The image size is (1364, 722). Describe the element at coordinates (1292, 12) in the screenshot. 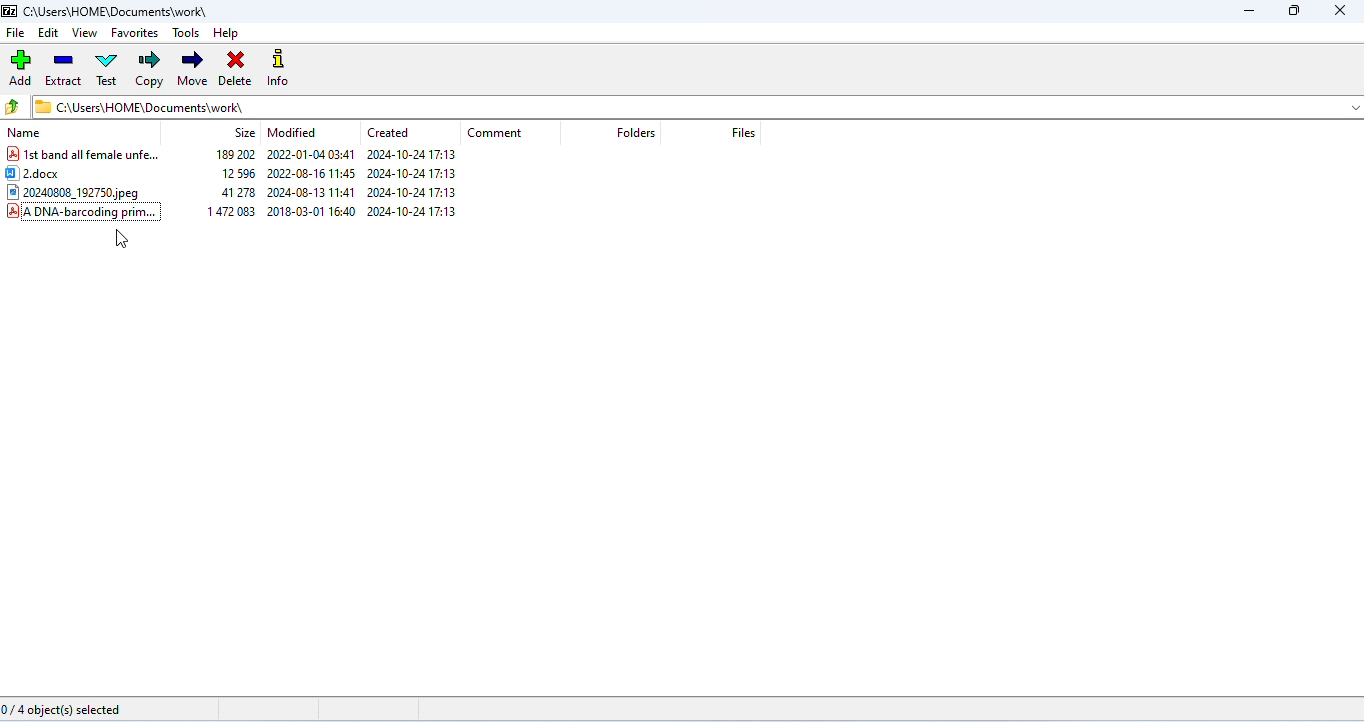

I see `maximize` at that location.